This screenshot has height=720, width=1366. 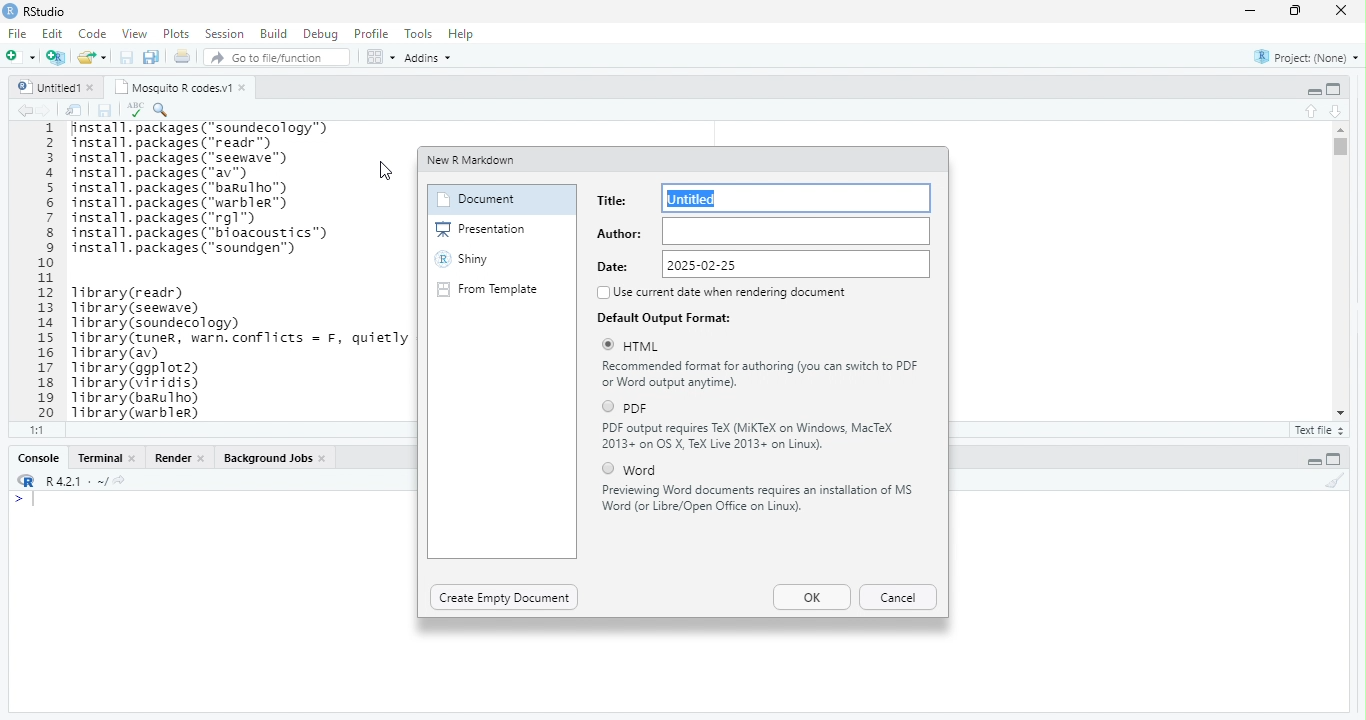 What do you see at coordinates (174, 87) in the screenshot?
I see `Mosquito R codes.v1` at bounding box center [174, 87].